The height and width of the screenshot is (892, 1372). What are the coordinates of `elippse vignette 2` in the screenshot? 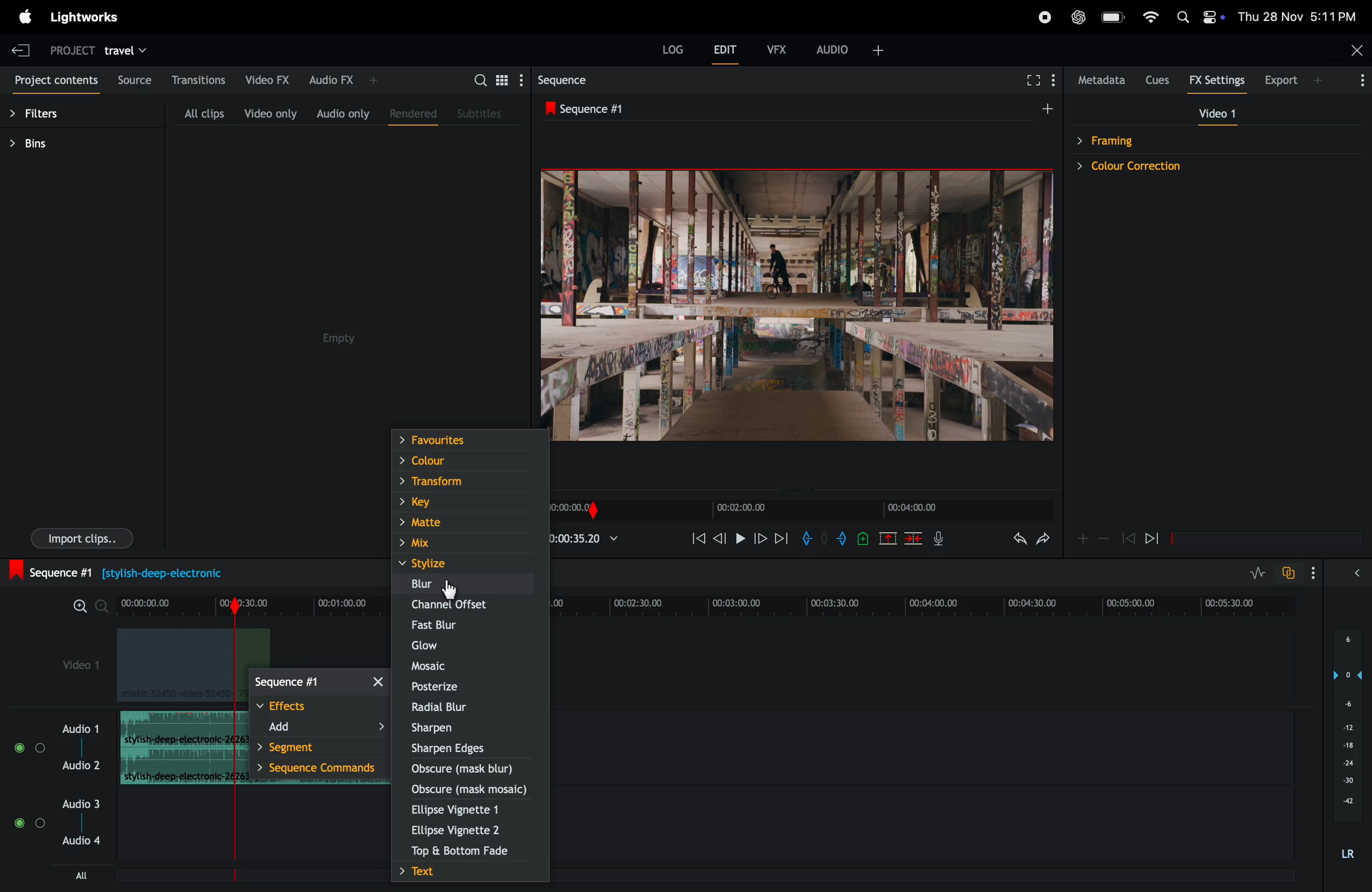 It's located at (459, 831).